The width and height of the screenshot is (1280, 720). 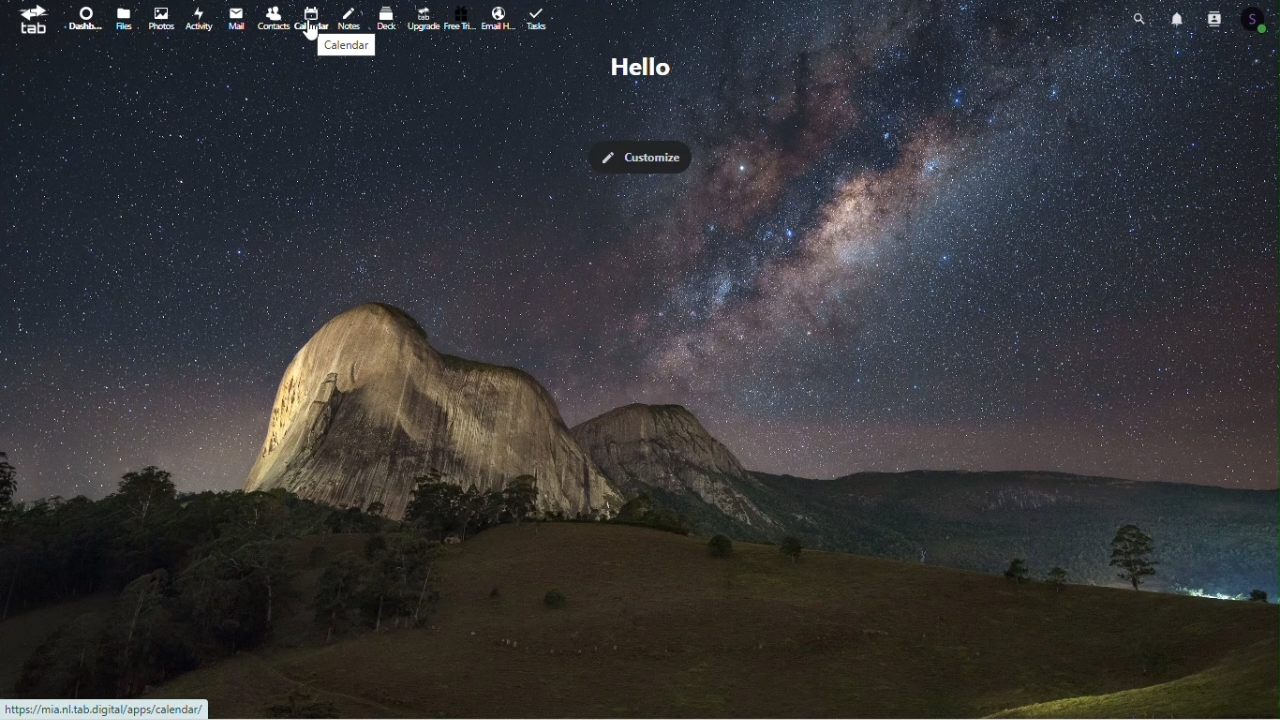 I want to click on dashboard, so click(x=79, y=20).